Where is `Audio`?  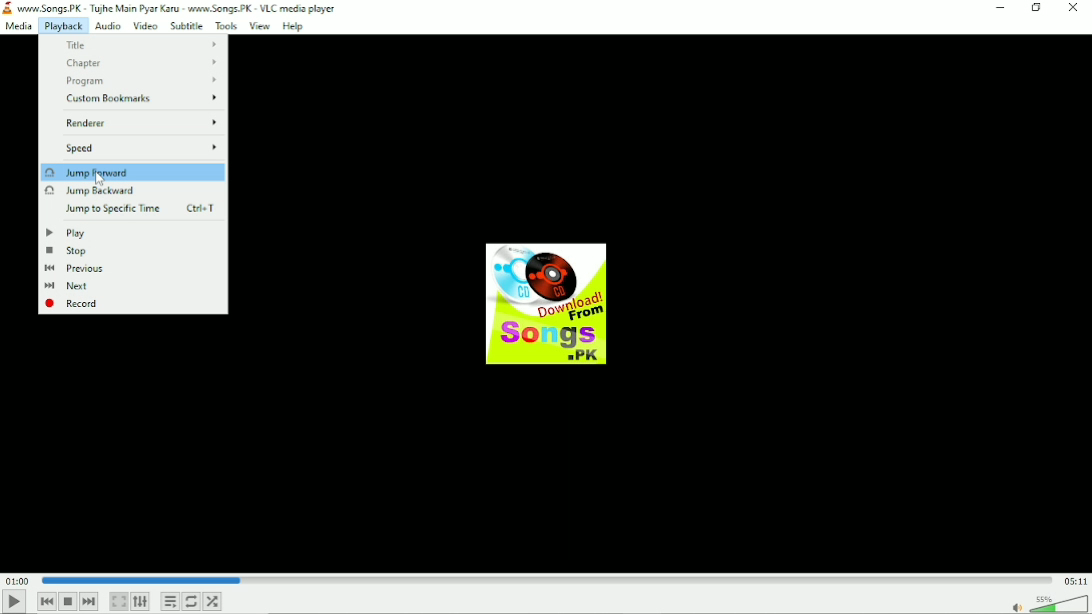
Audio is located at coordinates (107, 25).